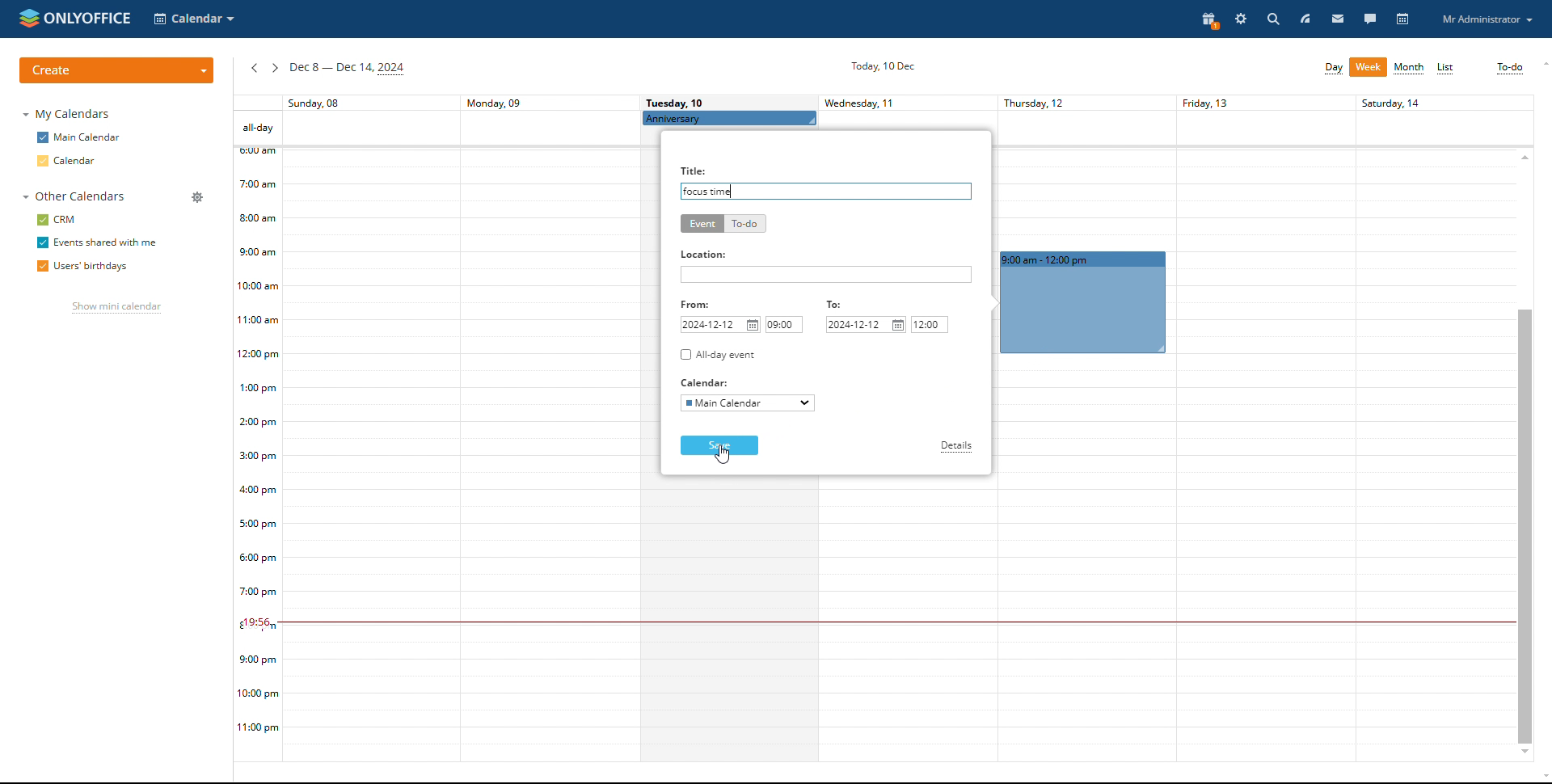 This screenshot has width=1552, height=784. What do you see at coordinates (1262, 428) in the screenshot?
I see `friday` at bounding box center [1262, 428].